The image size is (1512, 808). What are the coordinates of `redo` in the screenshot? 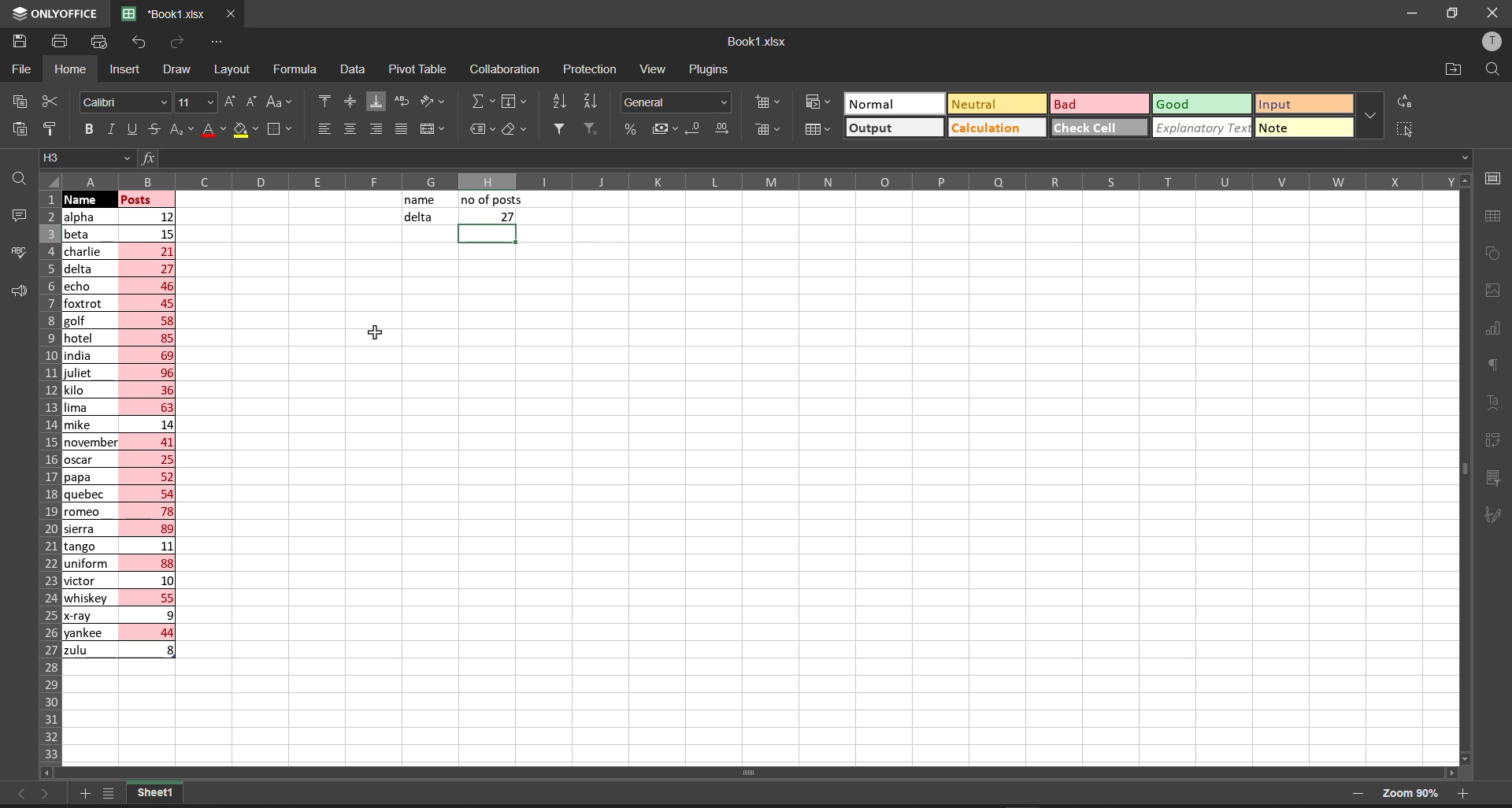 It's located at (176, 45).